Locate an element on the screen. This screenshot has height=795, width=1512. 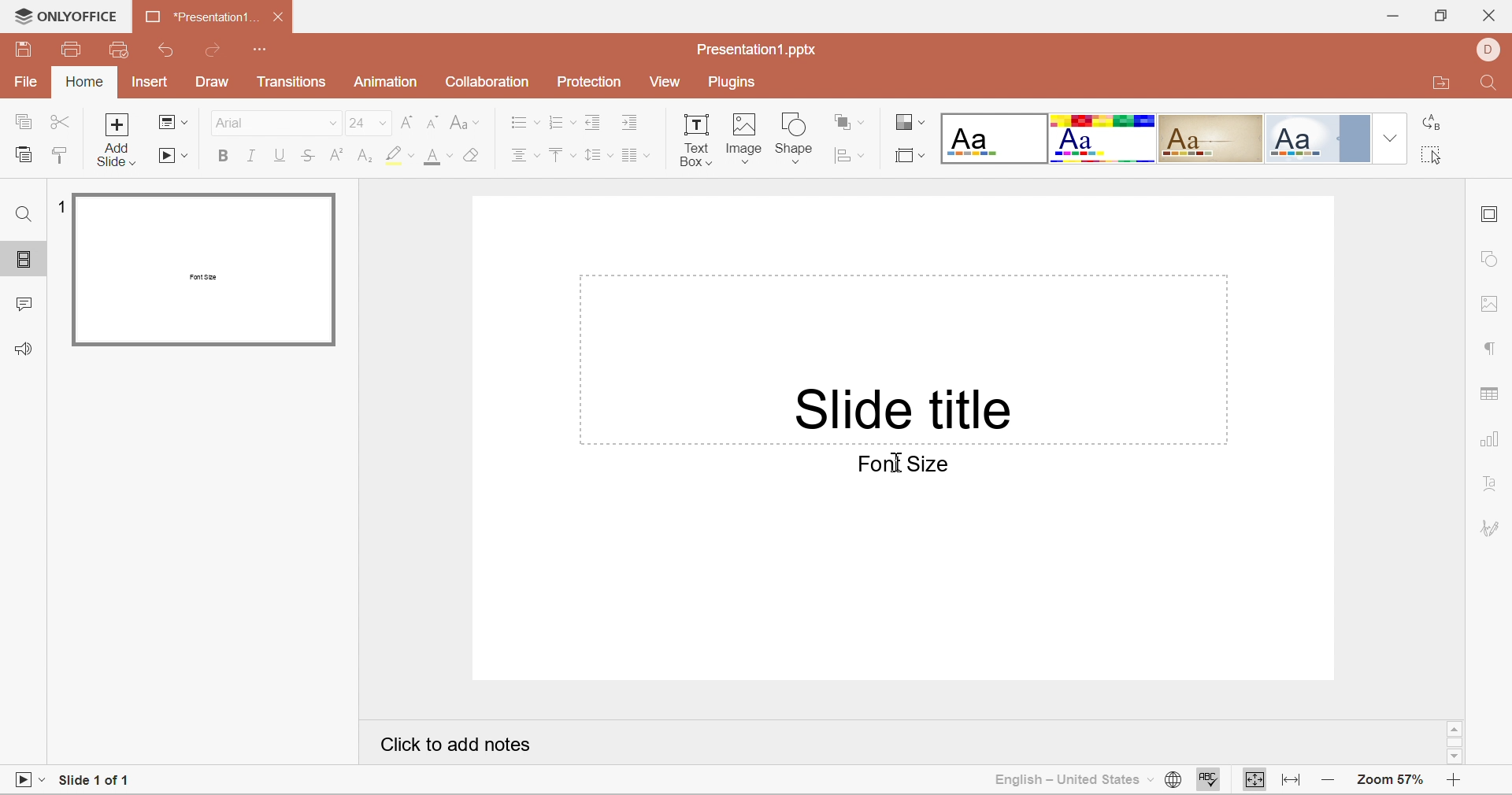
24 is located at coordinates (357, 124).